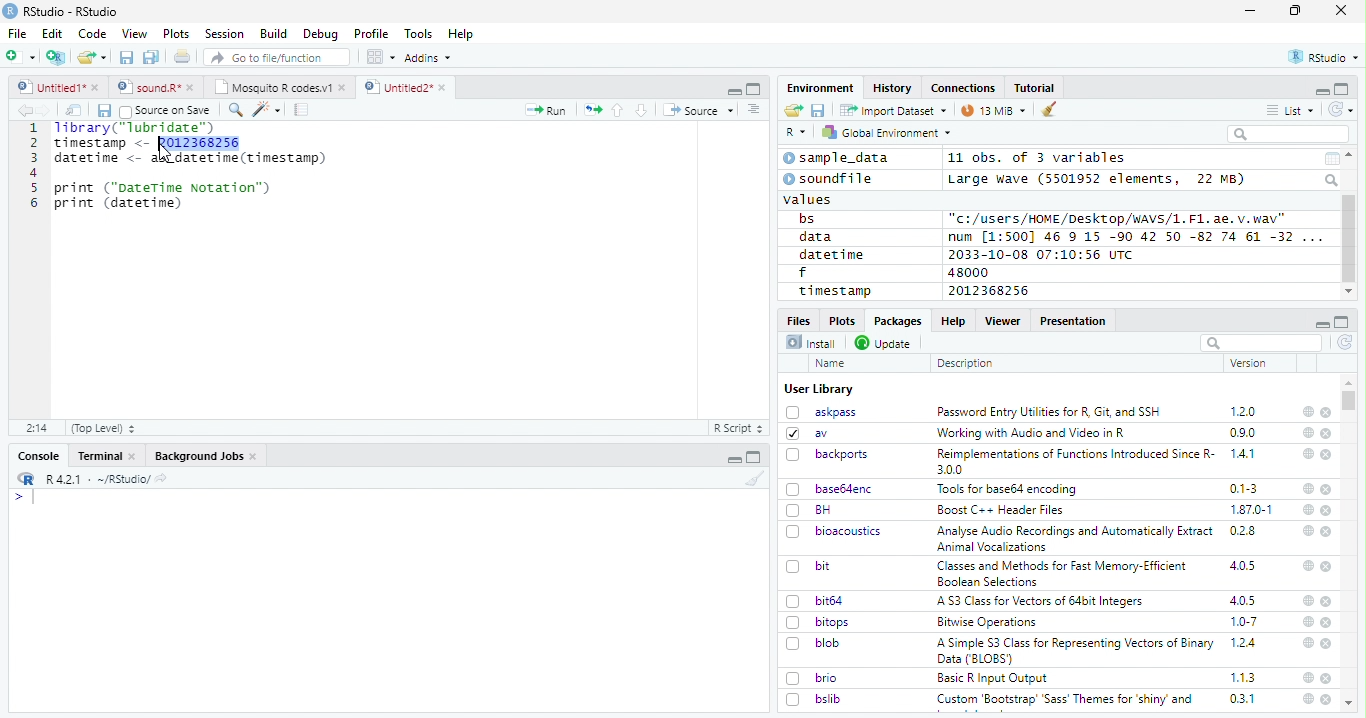  Describe the element at coordinates (1307, 699) in the screenshot. I see `help` at that location.